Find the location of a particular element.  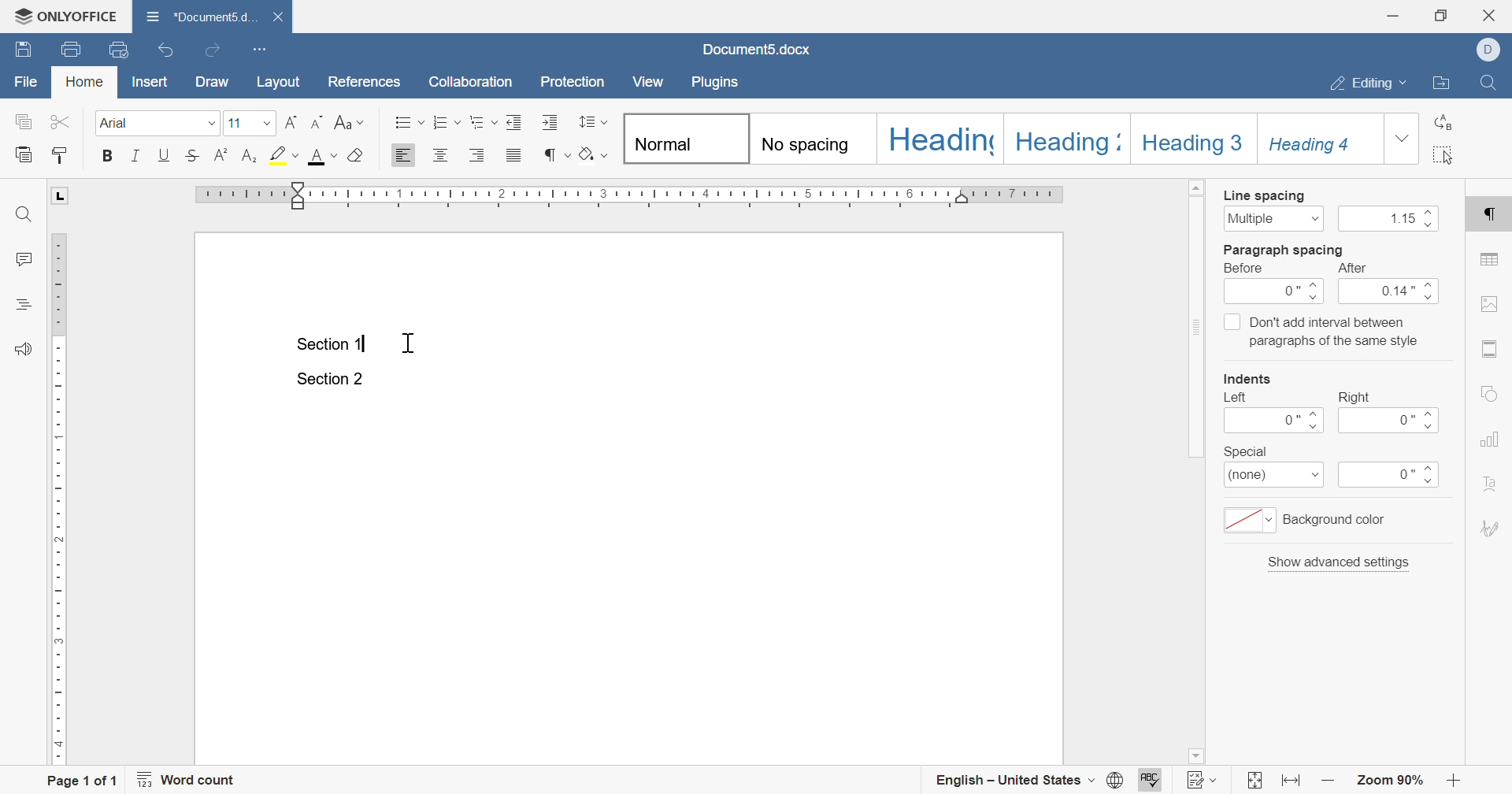

Align left is located at coordinates (406, 155).